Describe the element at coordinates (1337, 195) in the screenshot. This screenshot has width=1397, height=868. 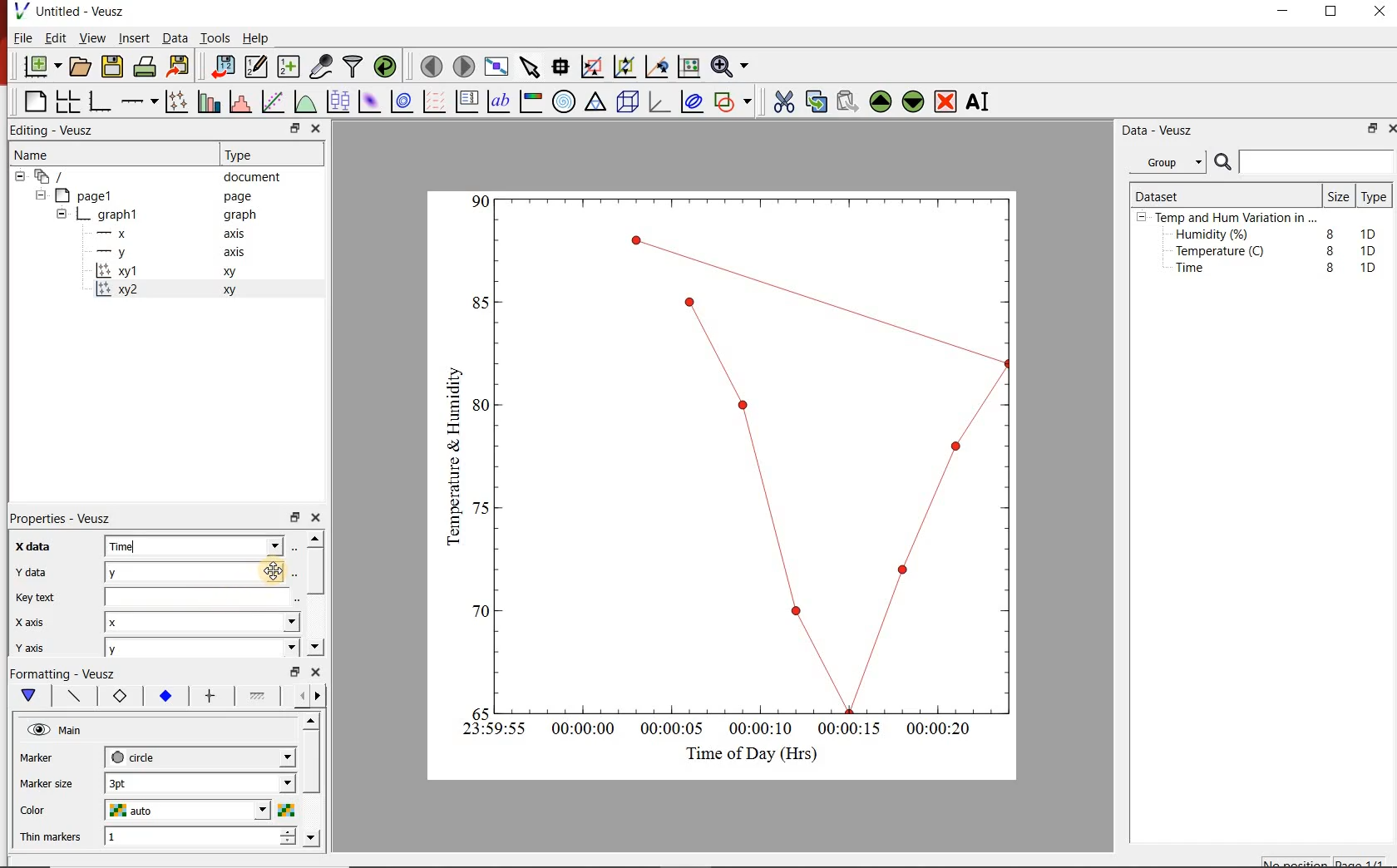
I see `Size` at that location.